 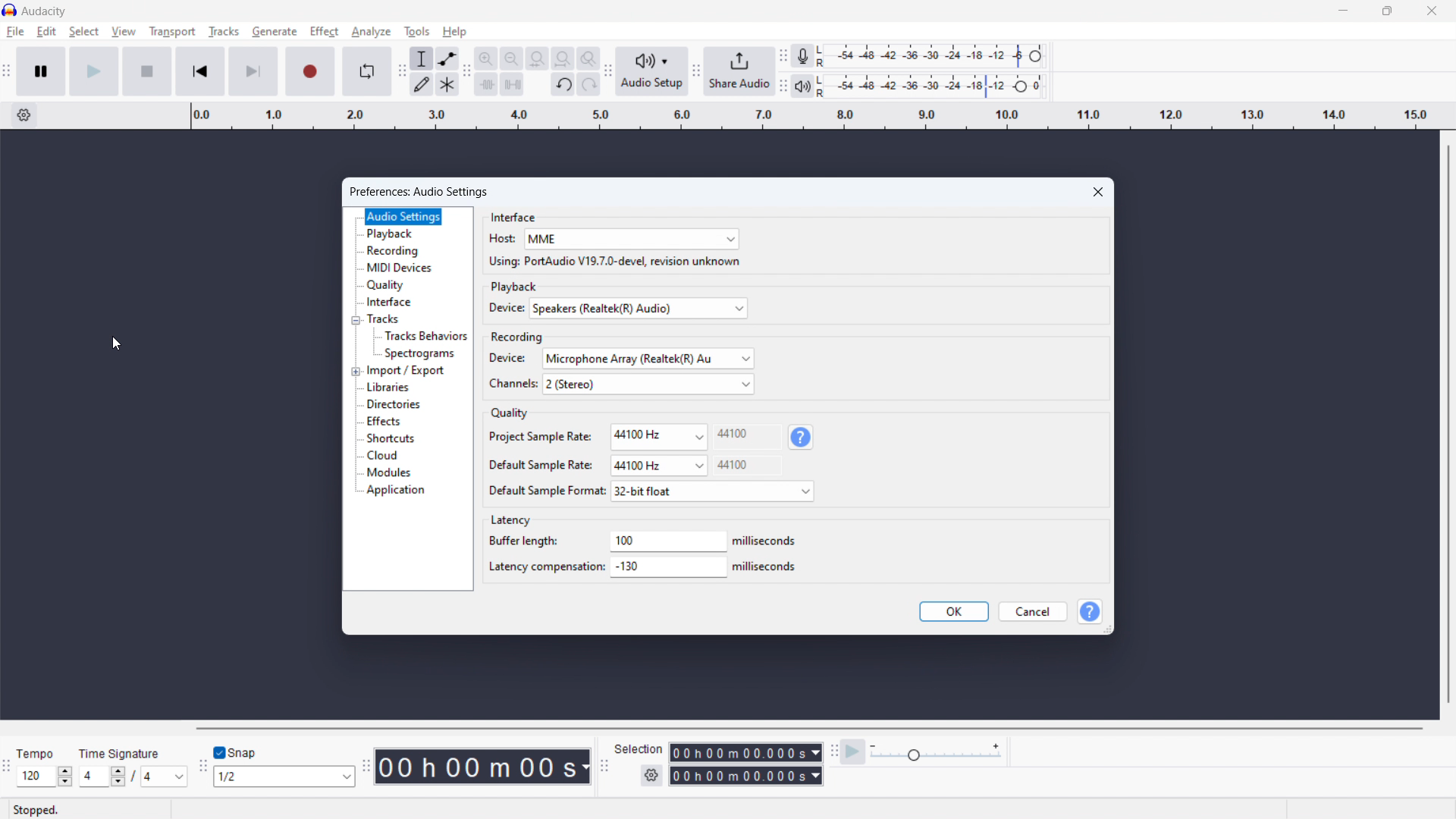 I want to click on set buffer length, so click(x=666, y=541).